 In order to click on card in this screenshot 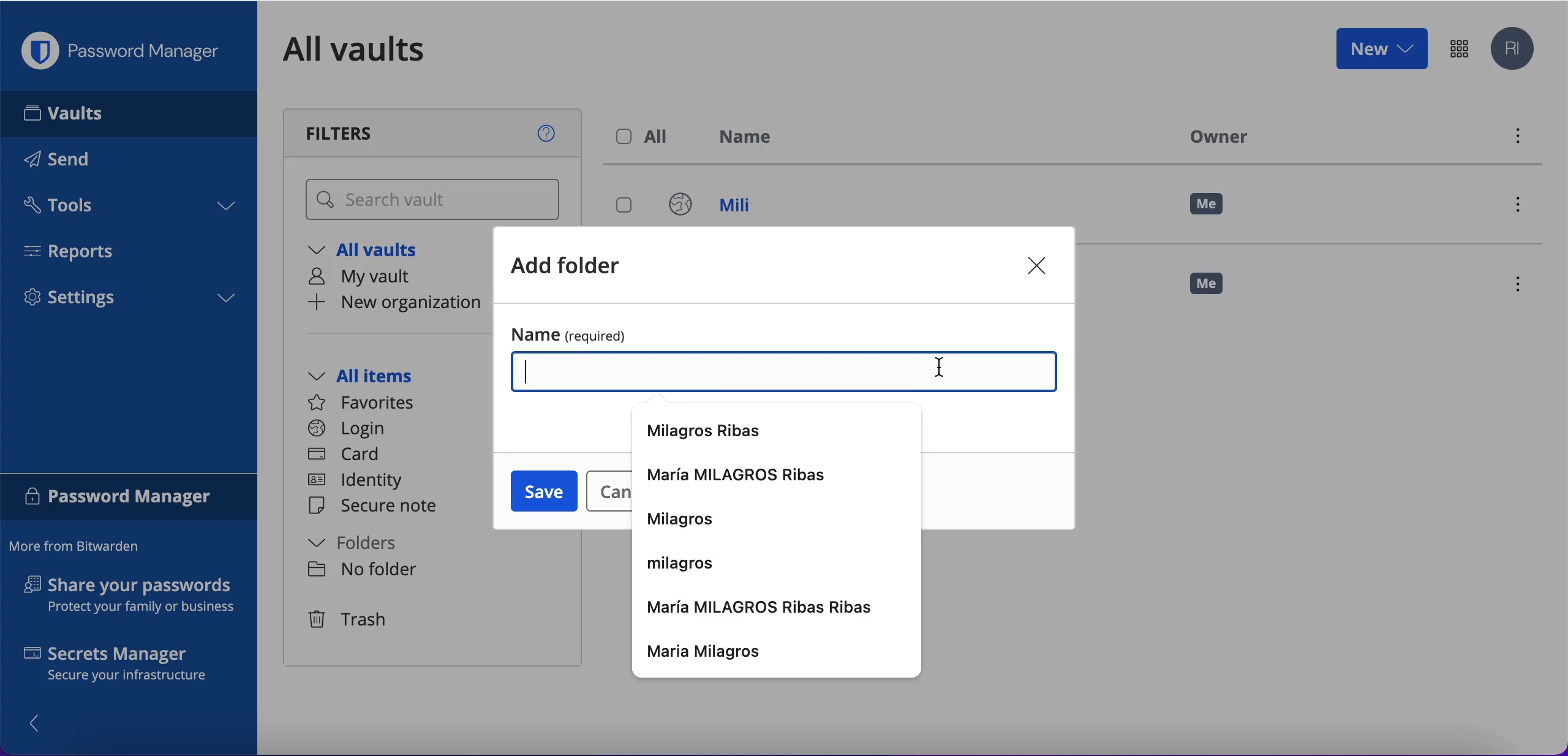, I will do `click(346, 456)`.